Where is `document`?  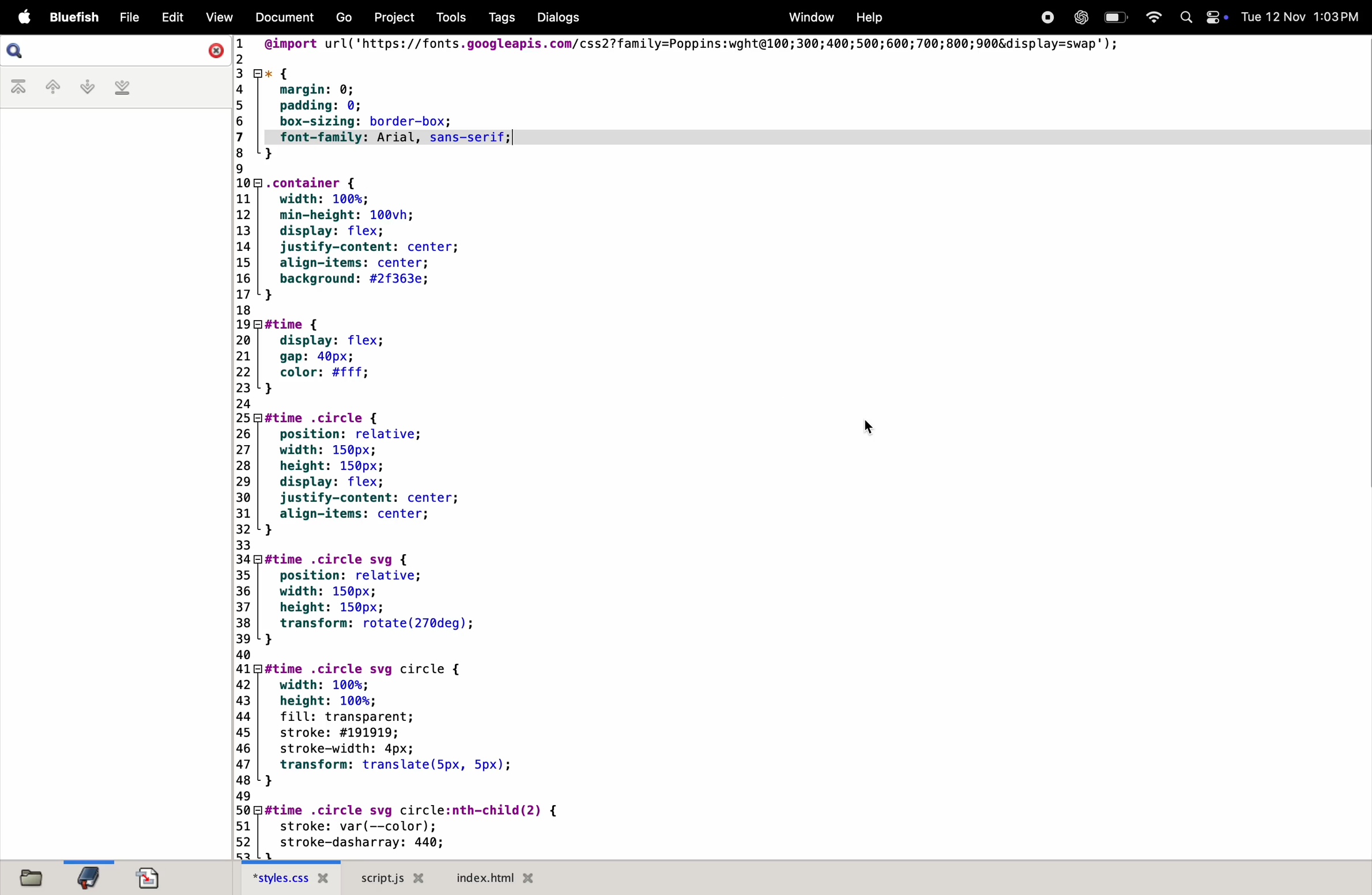
document is located at coordinates (279, 17).